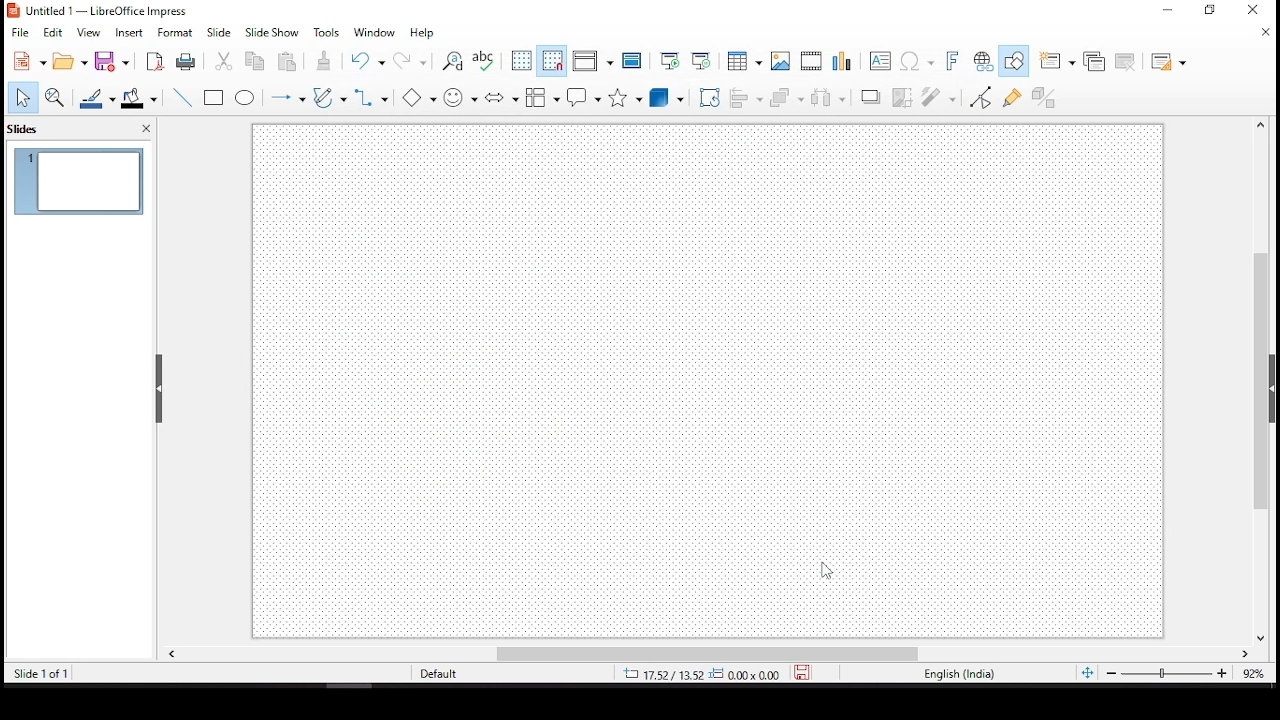 This screenshot has height=720, width=1280. What do you see at coordinates (521, 60) in the screenshot?
I see `display grid` at bounding box center [521, 60].